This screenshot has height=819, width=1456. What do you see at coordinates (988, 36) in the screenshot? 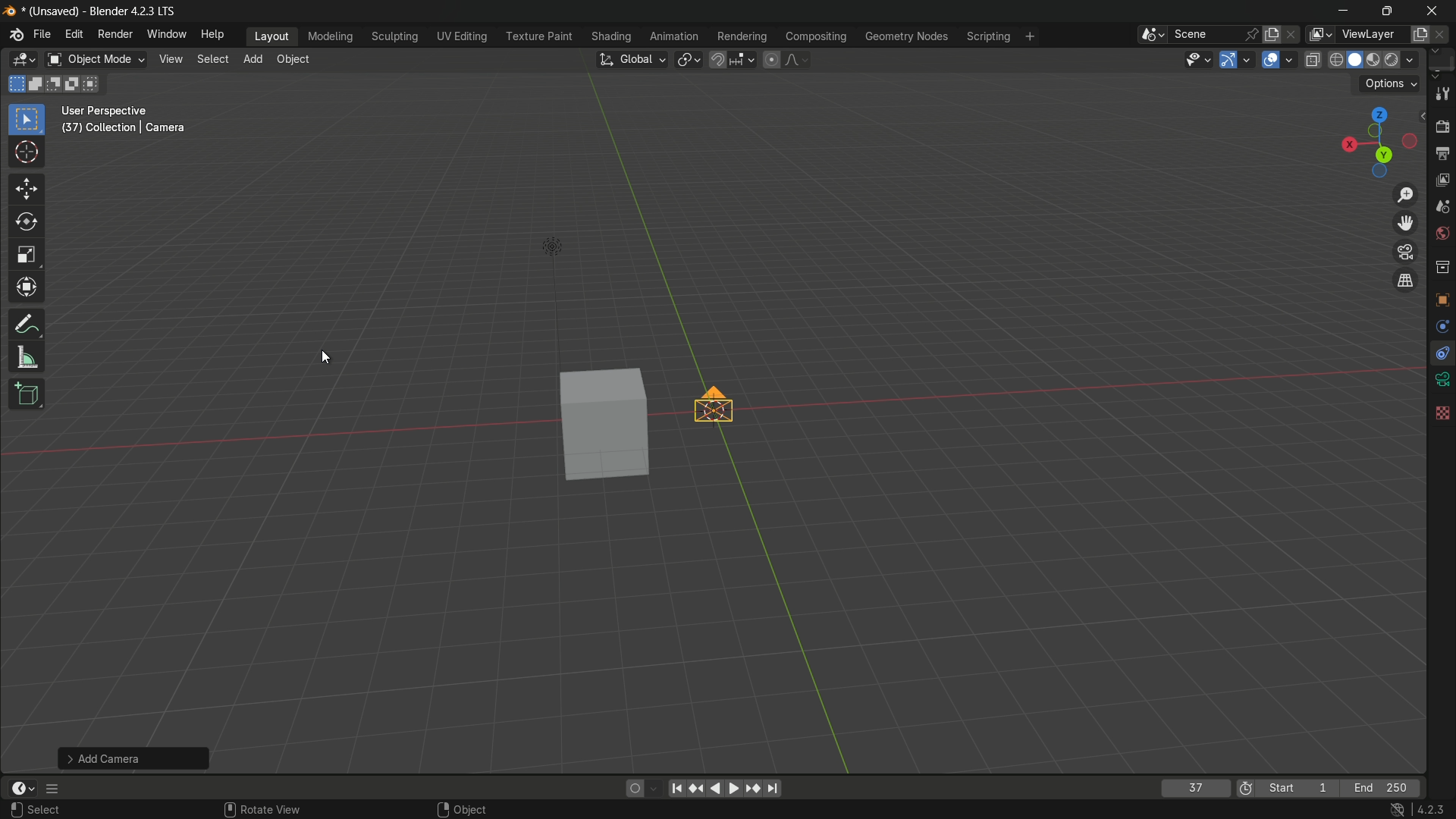
I see `scripting menu` at bounding box center [988, 36].